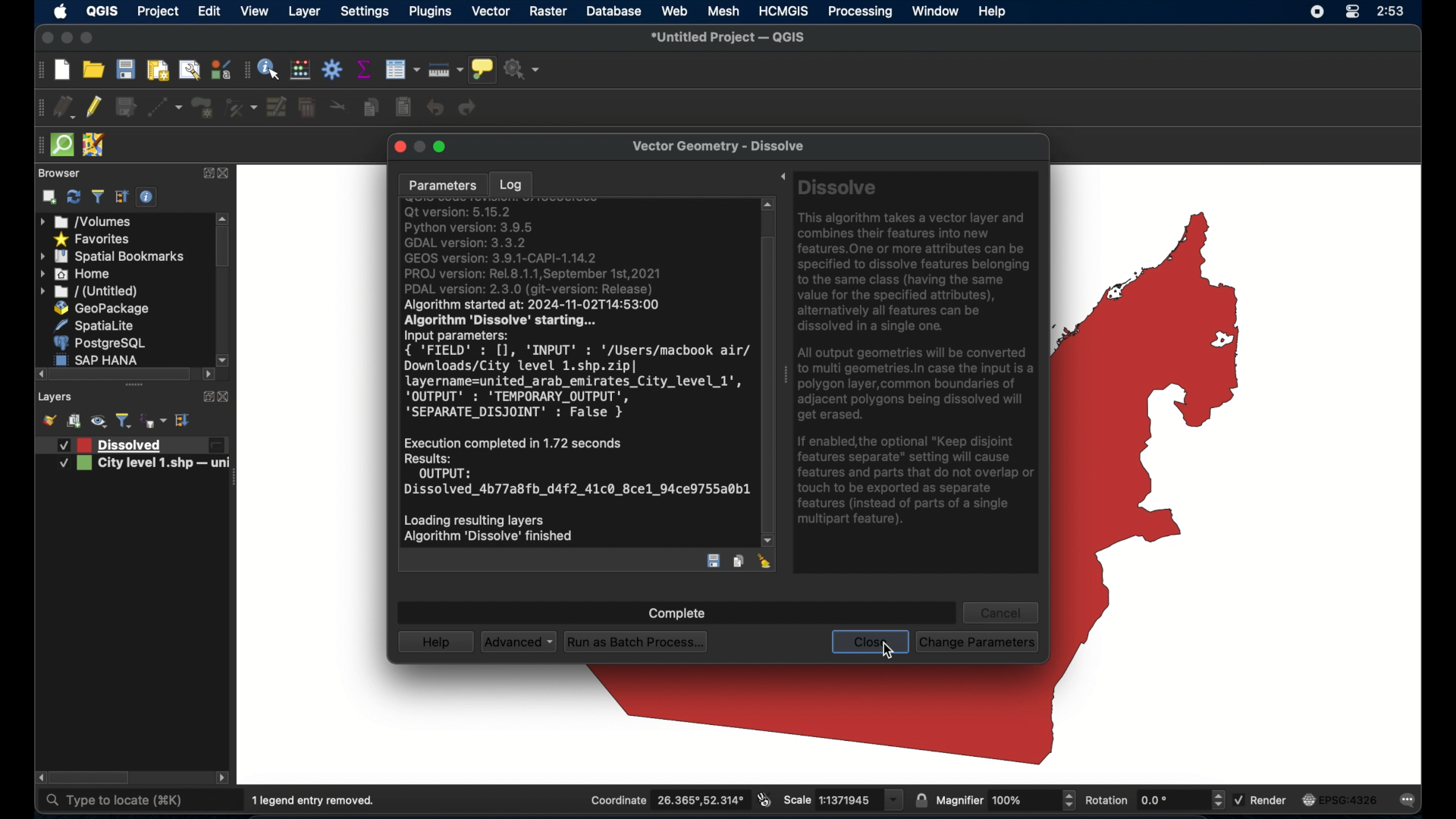  What do you see at coordinates (306, 108) in the screenshot?
I see `delete selected` at bounding box center [306, 108].